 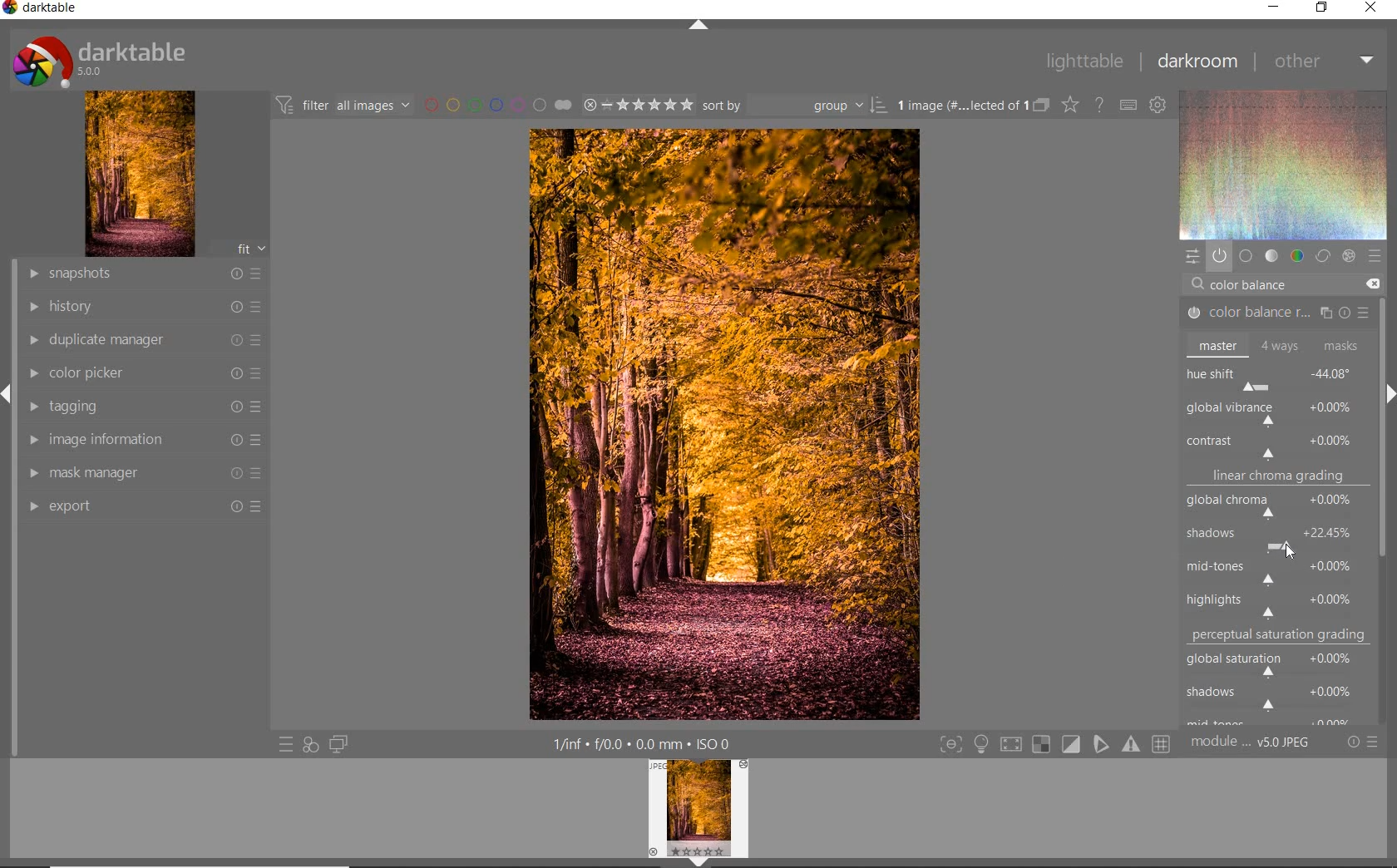 What do you see at coordinates (1273, 313) in the screenshot?
I see `COLOR BALANCE RGB` at bounding box center [1273, 313].